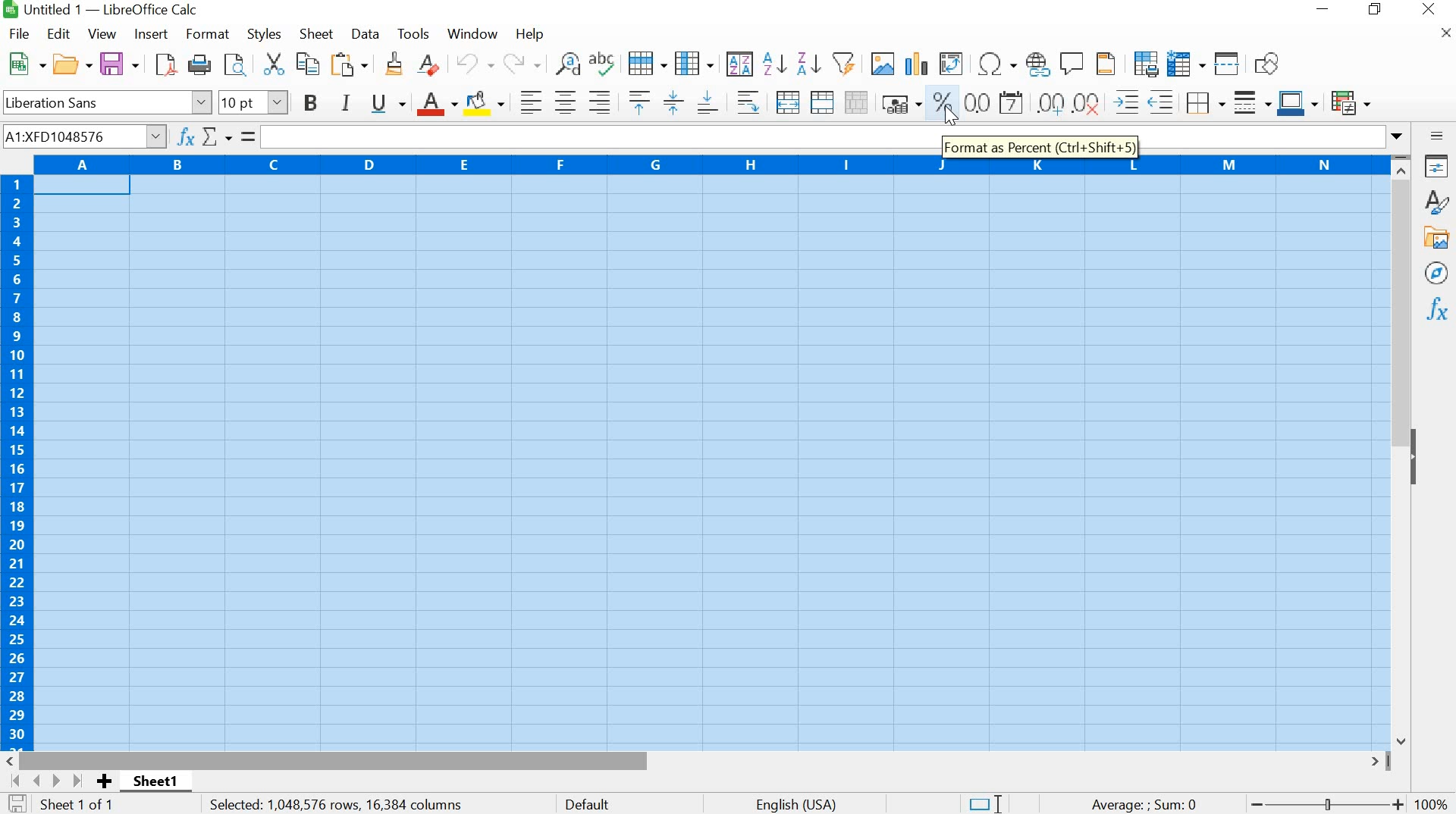 The width and height of the screenshot is (1456, 814). I want to click on SORT, so click(738, 66).